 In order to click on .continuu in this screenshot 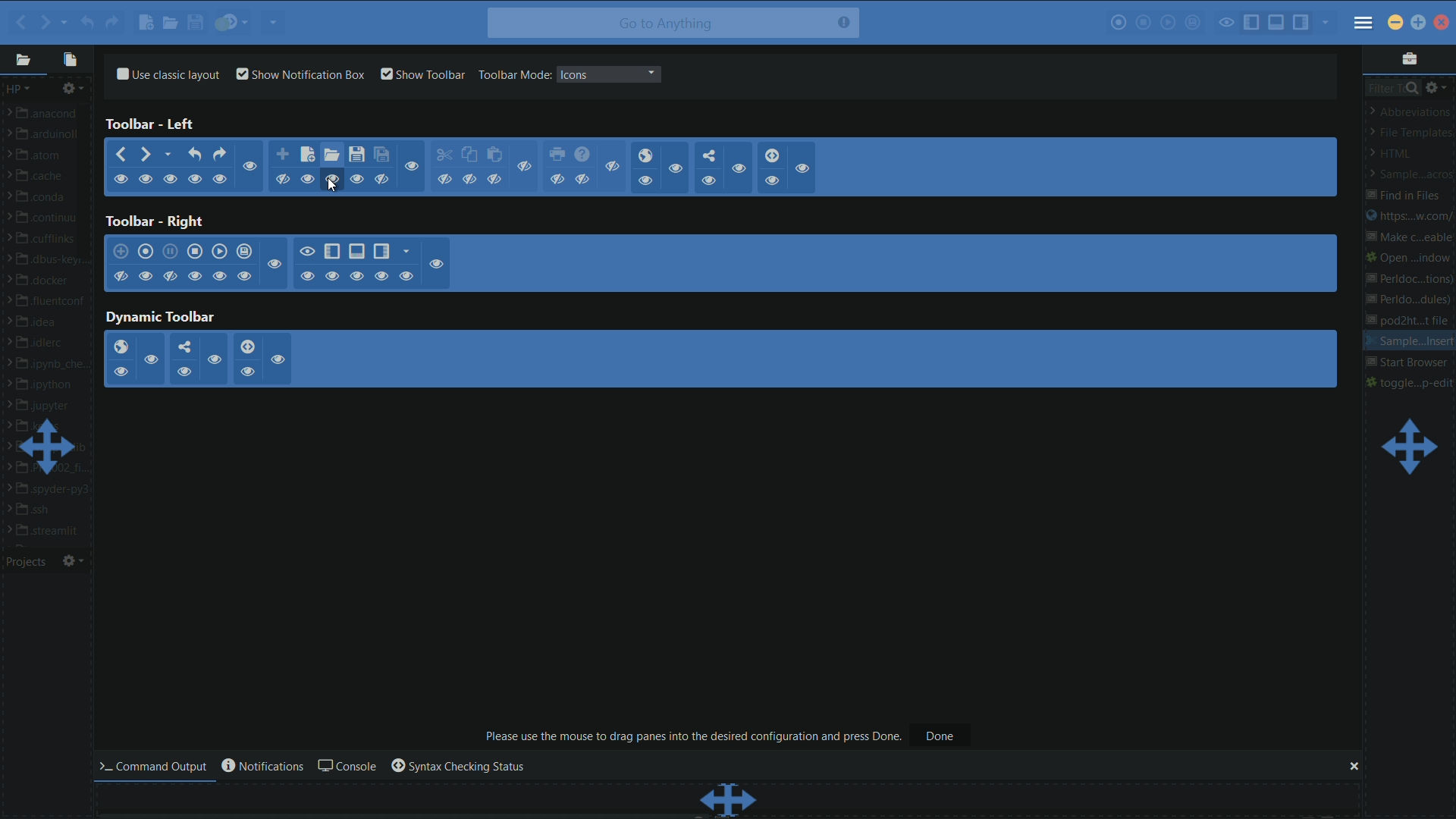, I will do `click(53, 219)`.